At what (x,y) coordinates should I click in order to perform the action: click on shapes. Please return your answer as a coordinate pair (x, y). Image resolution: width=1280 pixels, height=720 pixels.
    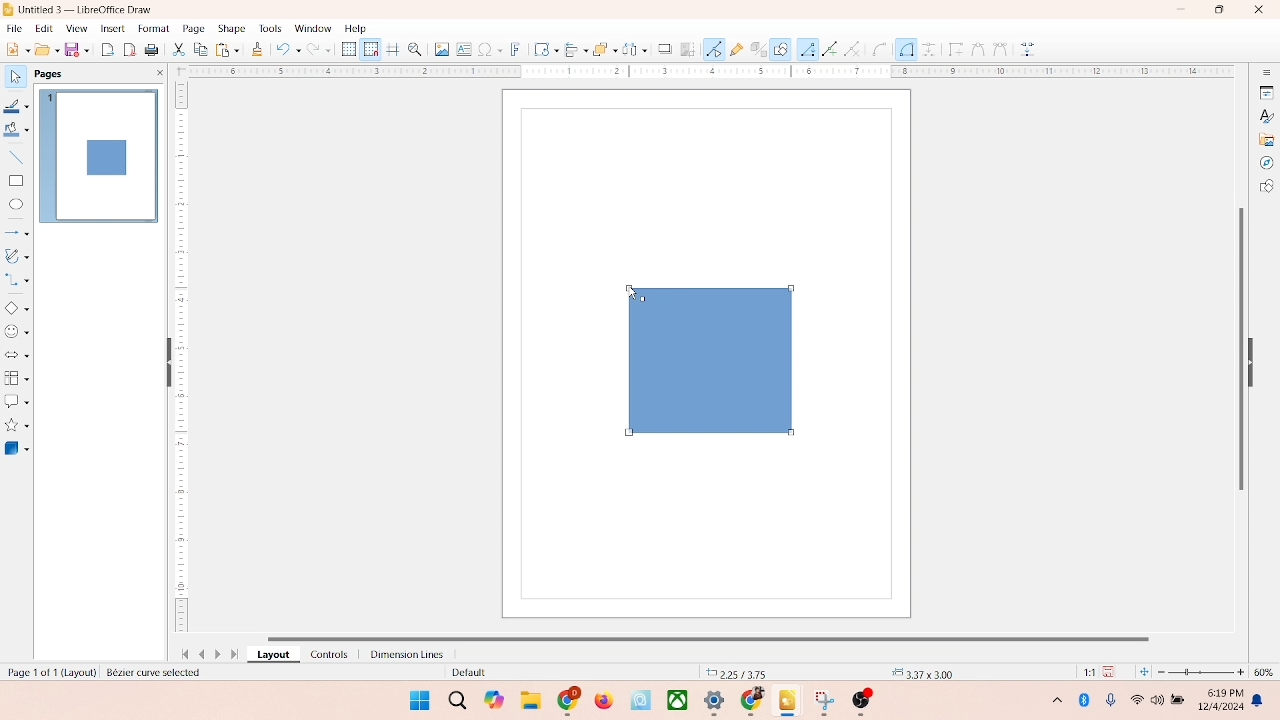
    Looking at the image, I should click on (1266, 188).